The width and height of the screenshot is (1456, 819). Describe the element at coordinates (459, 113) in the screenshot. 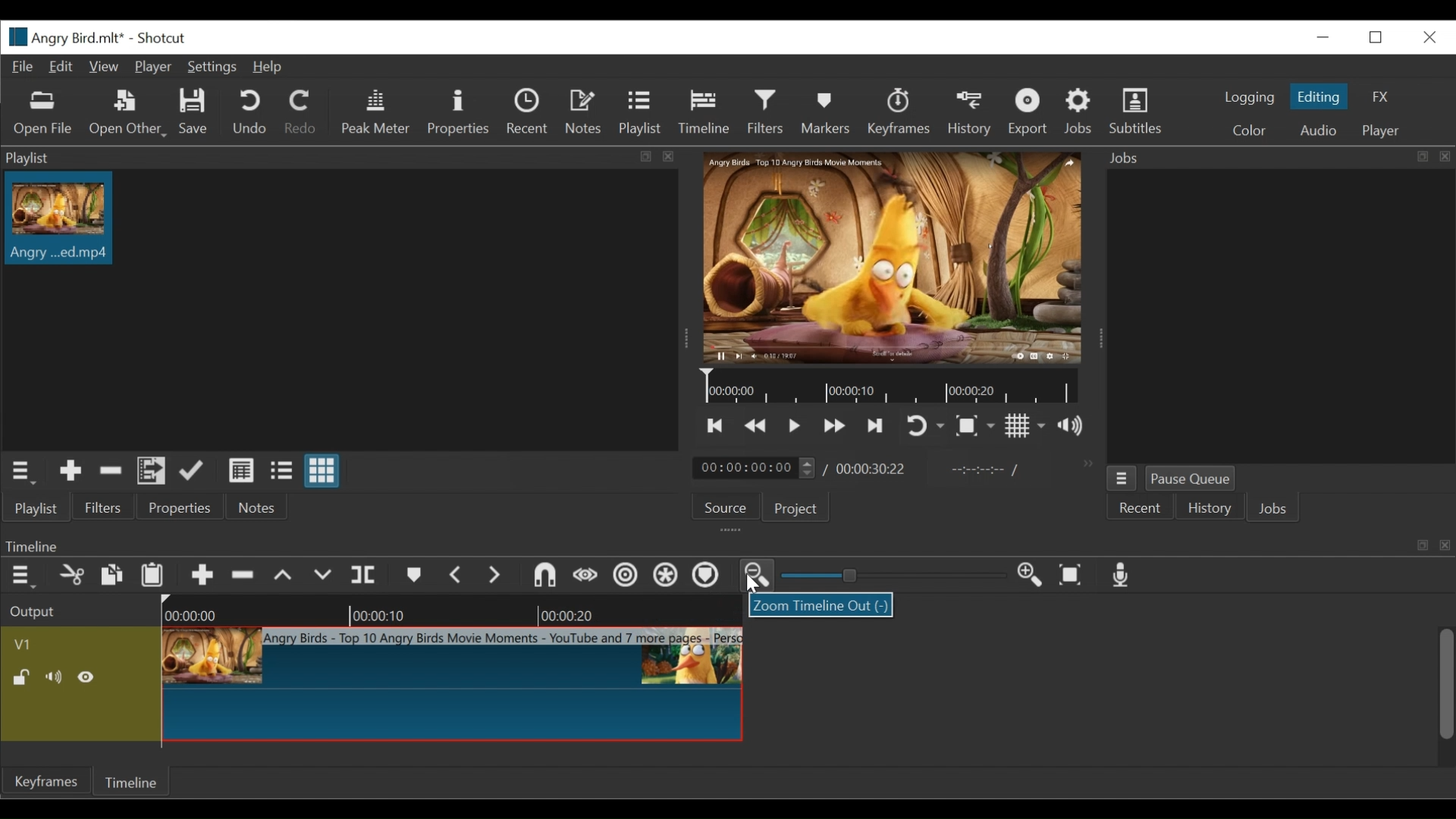

I see `Properties` at that location.